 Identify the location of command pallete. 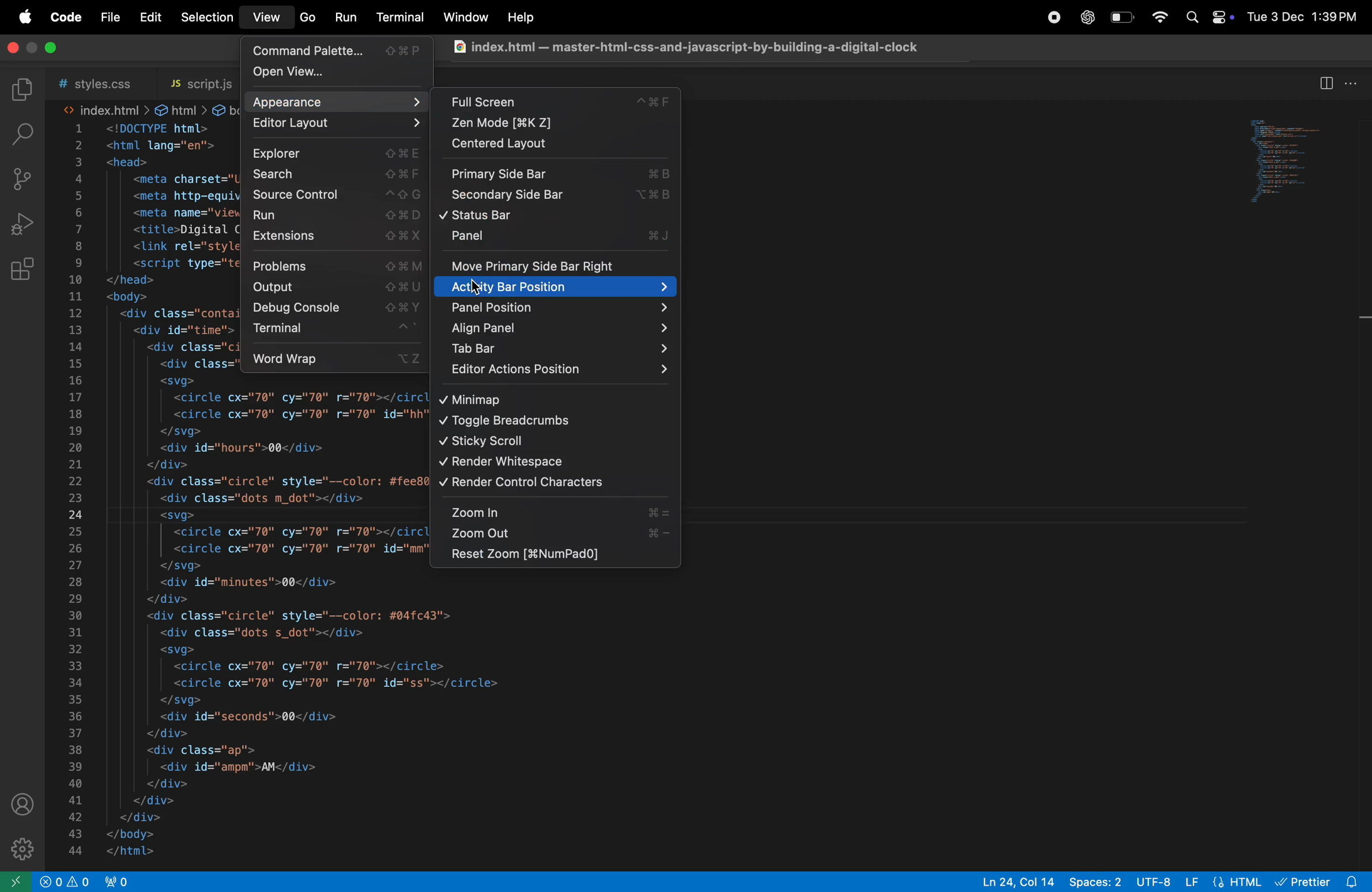
(338, 52).